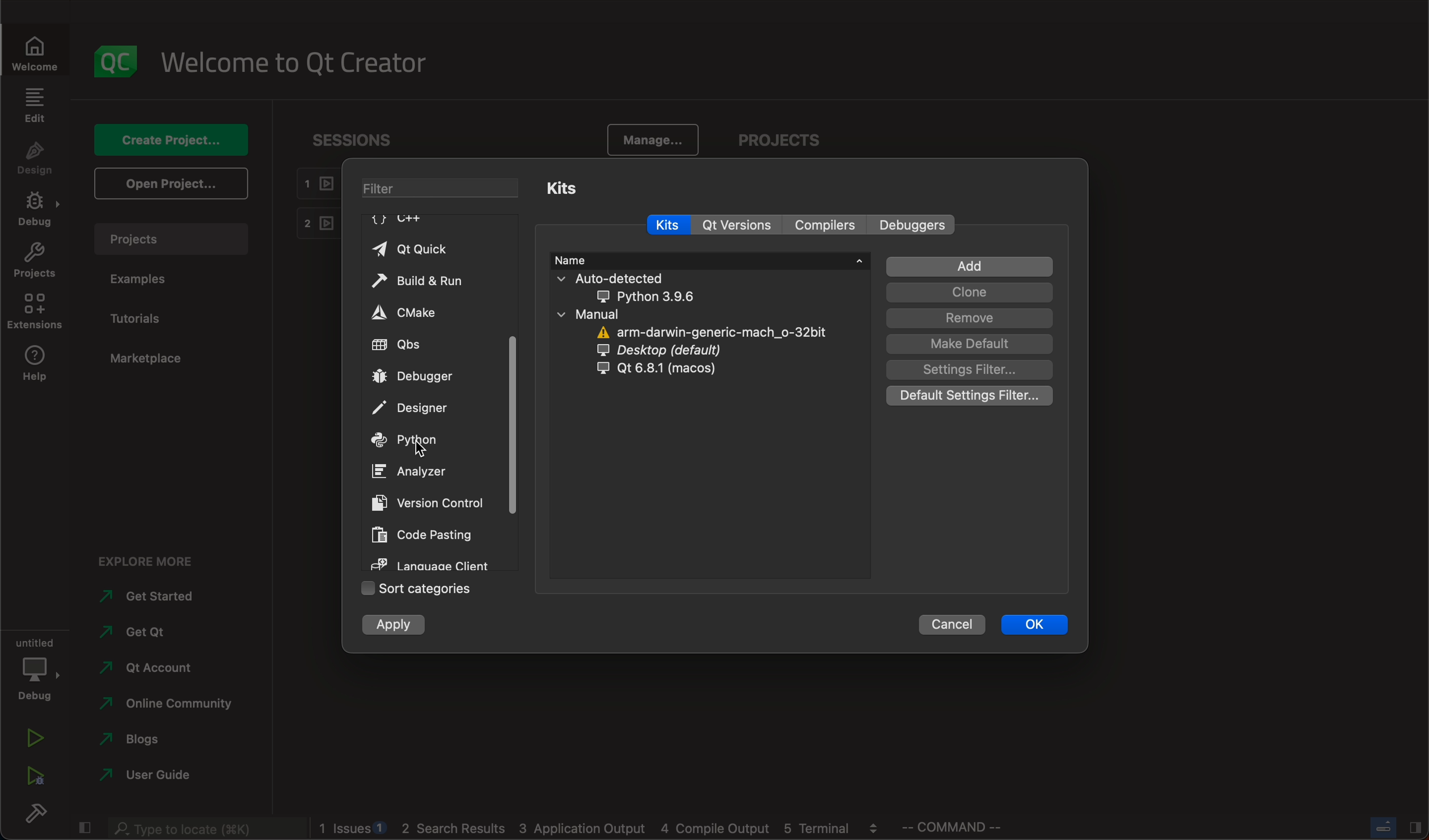 The image size is (1429, 840). Describe the element at coordinates (599, 828) in the screenshot. I see `logs` at that location.